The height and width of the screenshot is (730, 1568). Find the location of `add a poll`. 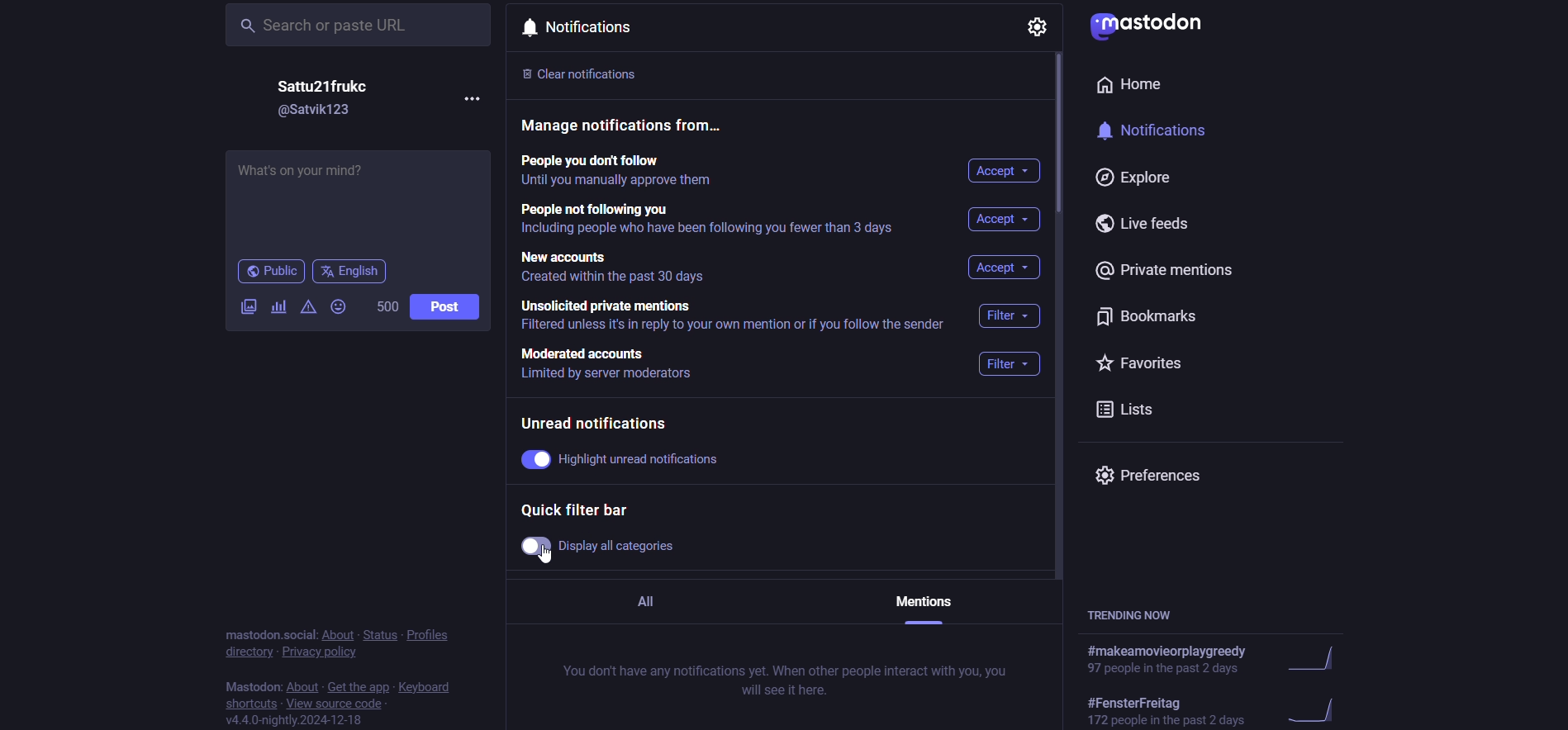

add a poll is located at coordinates (281, 308).